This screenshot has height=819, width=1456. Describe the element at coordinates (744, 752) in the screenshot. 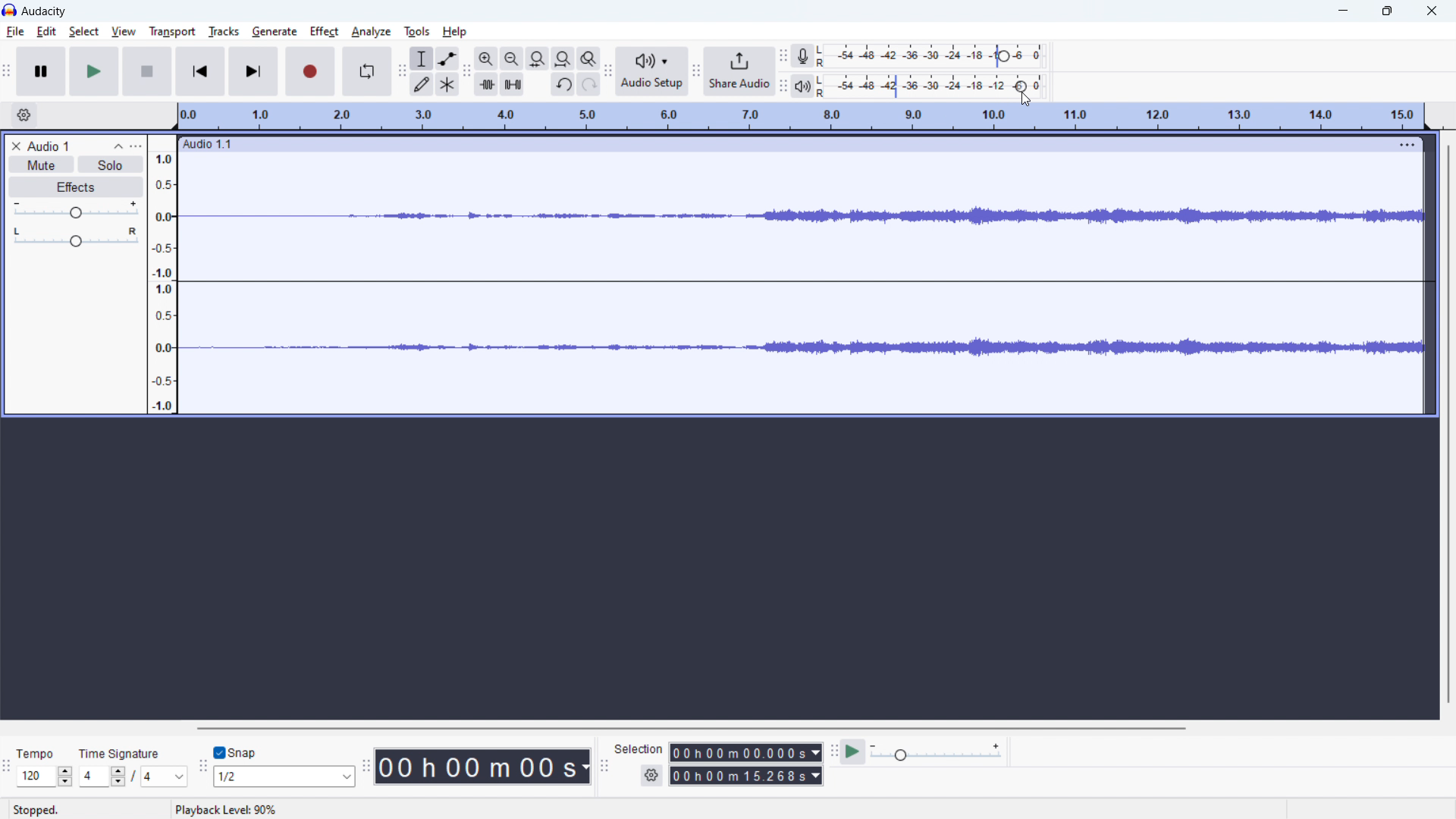

I see `start time` at that location.